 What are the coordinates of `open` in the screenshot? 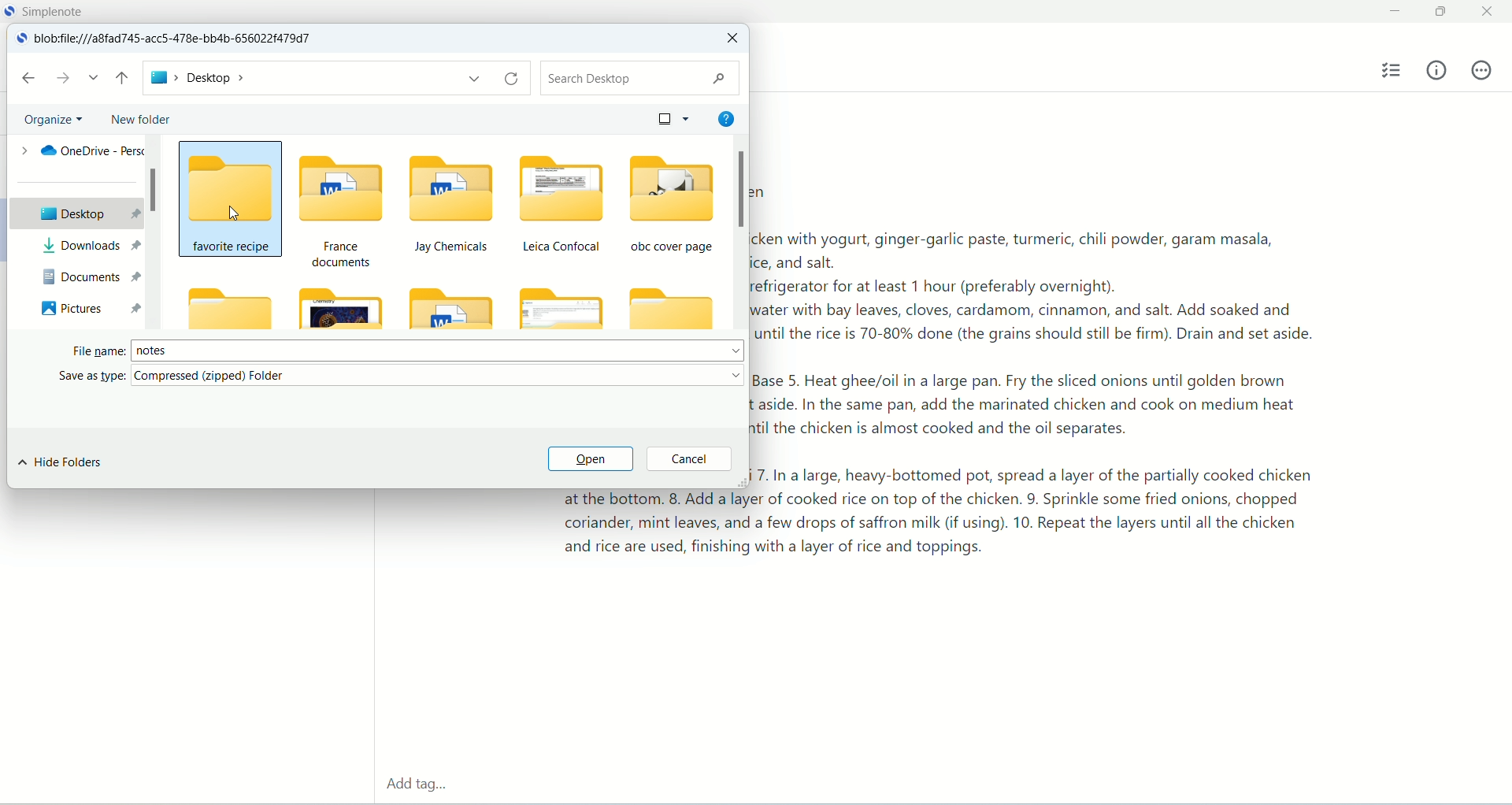 It's located at (589, 460).